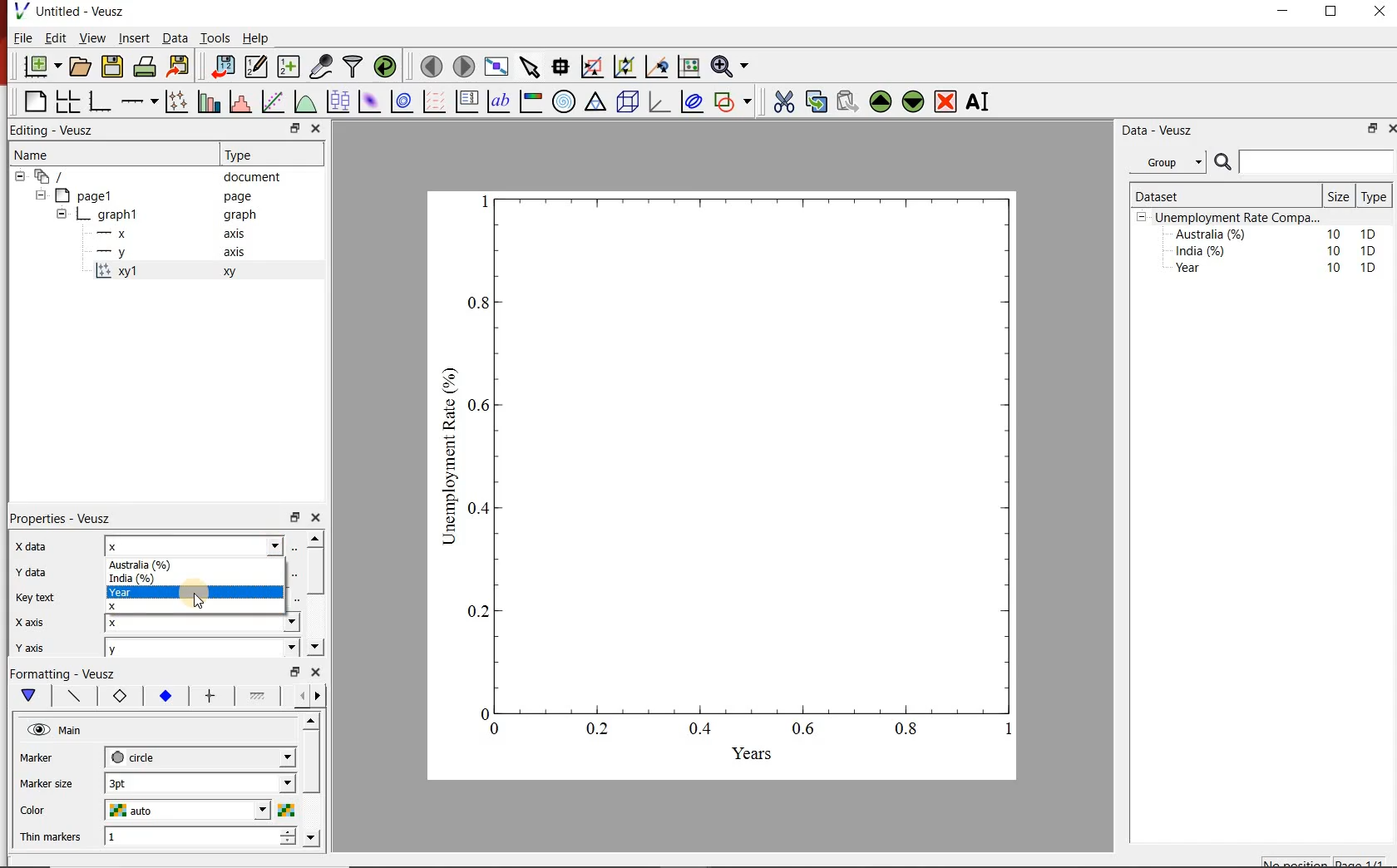 The image size is (1397, 868). I want to click on y axis, so click(180, 253).